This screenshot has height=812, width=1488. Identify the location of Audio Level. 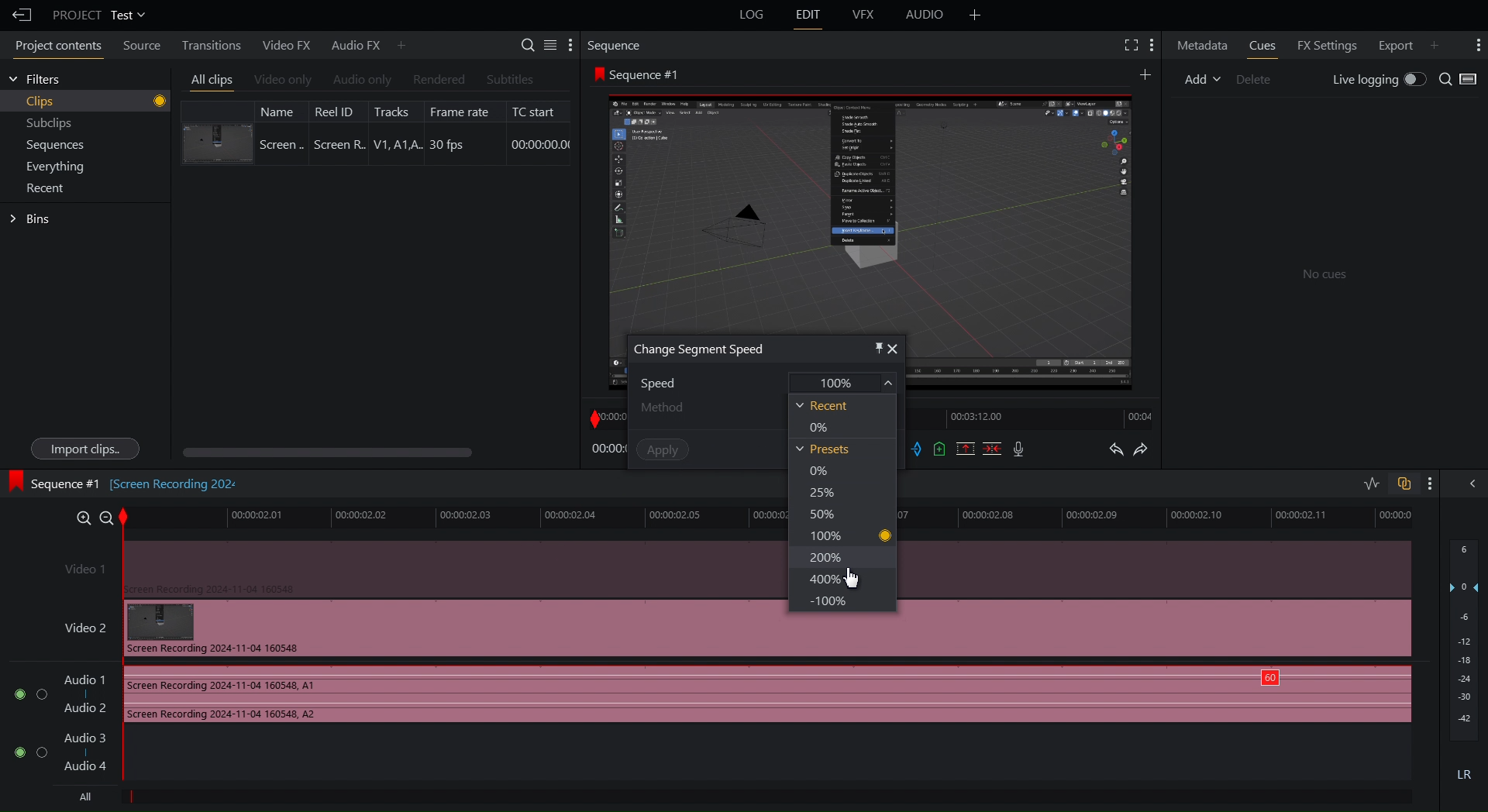
(1465, 664).